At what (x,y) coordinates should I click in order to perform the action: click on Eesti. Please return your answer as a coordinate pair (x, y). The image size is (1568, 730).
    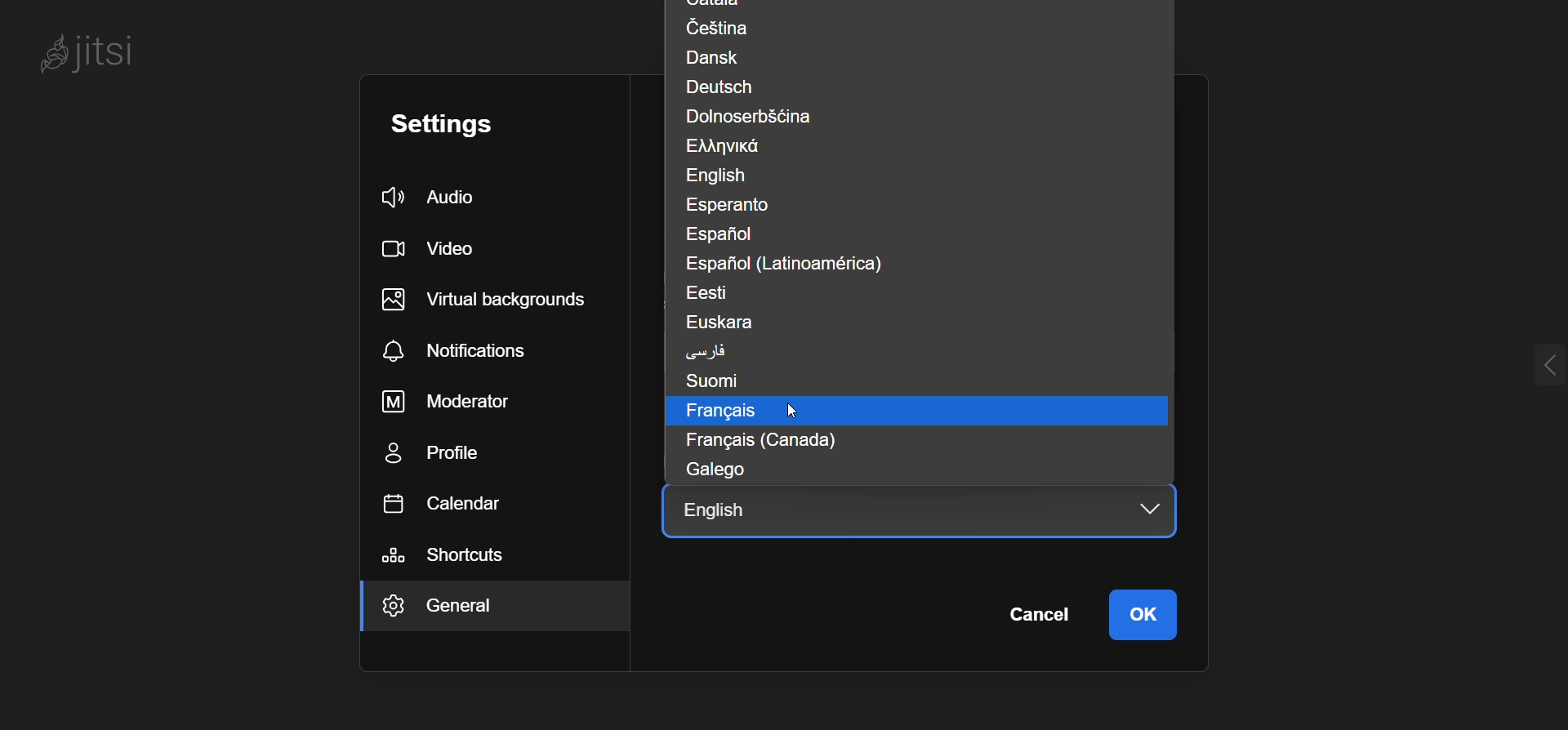
    Looking at the image, I should click on (715, 292).